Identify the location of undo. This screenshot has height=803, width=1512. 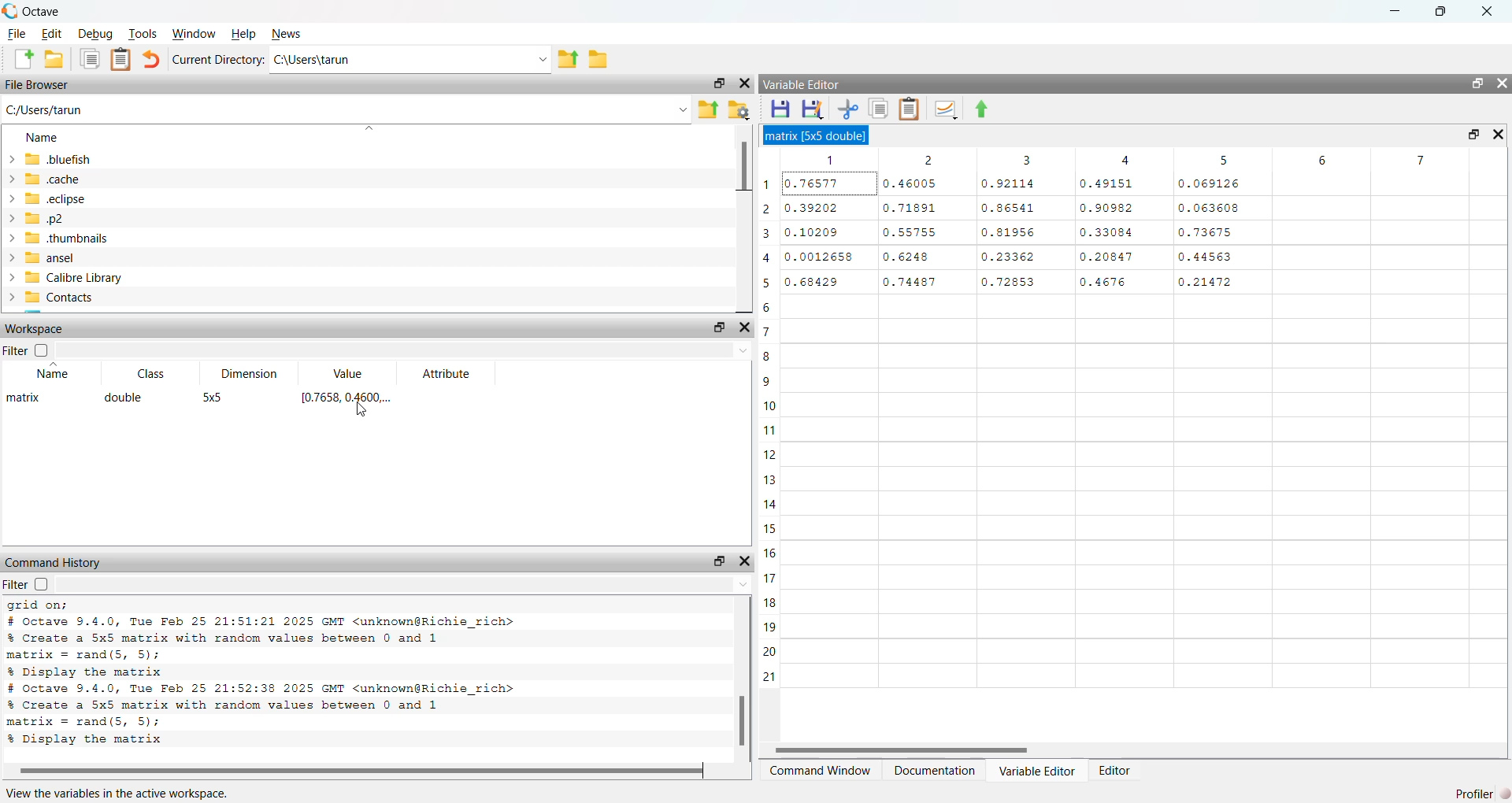
(151, 58).